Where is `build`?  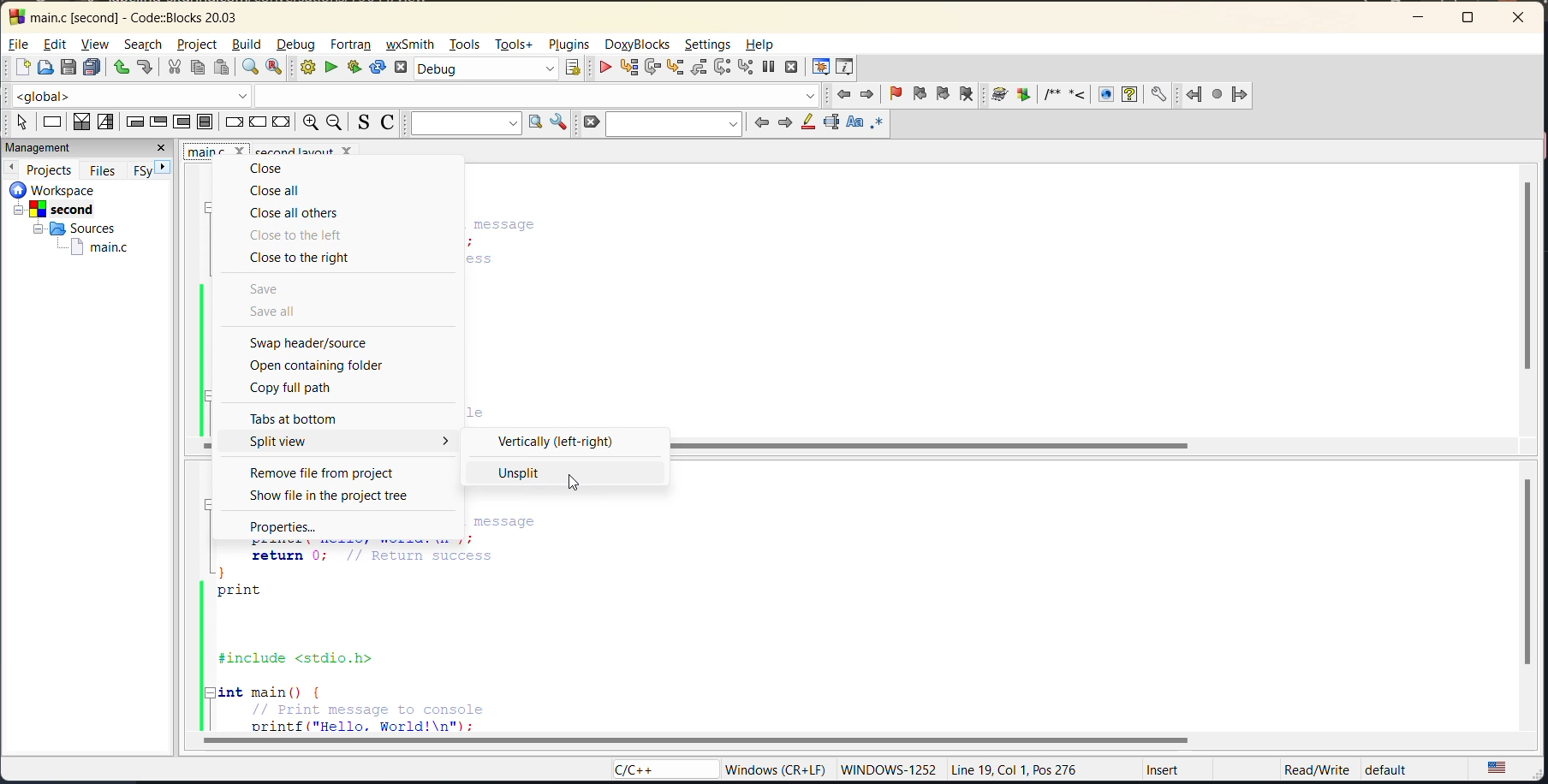
build is located at coordinates (310, 68).